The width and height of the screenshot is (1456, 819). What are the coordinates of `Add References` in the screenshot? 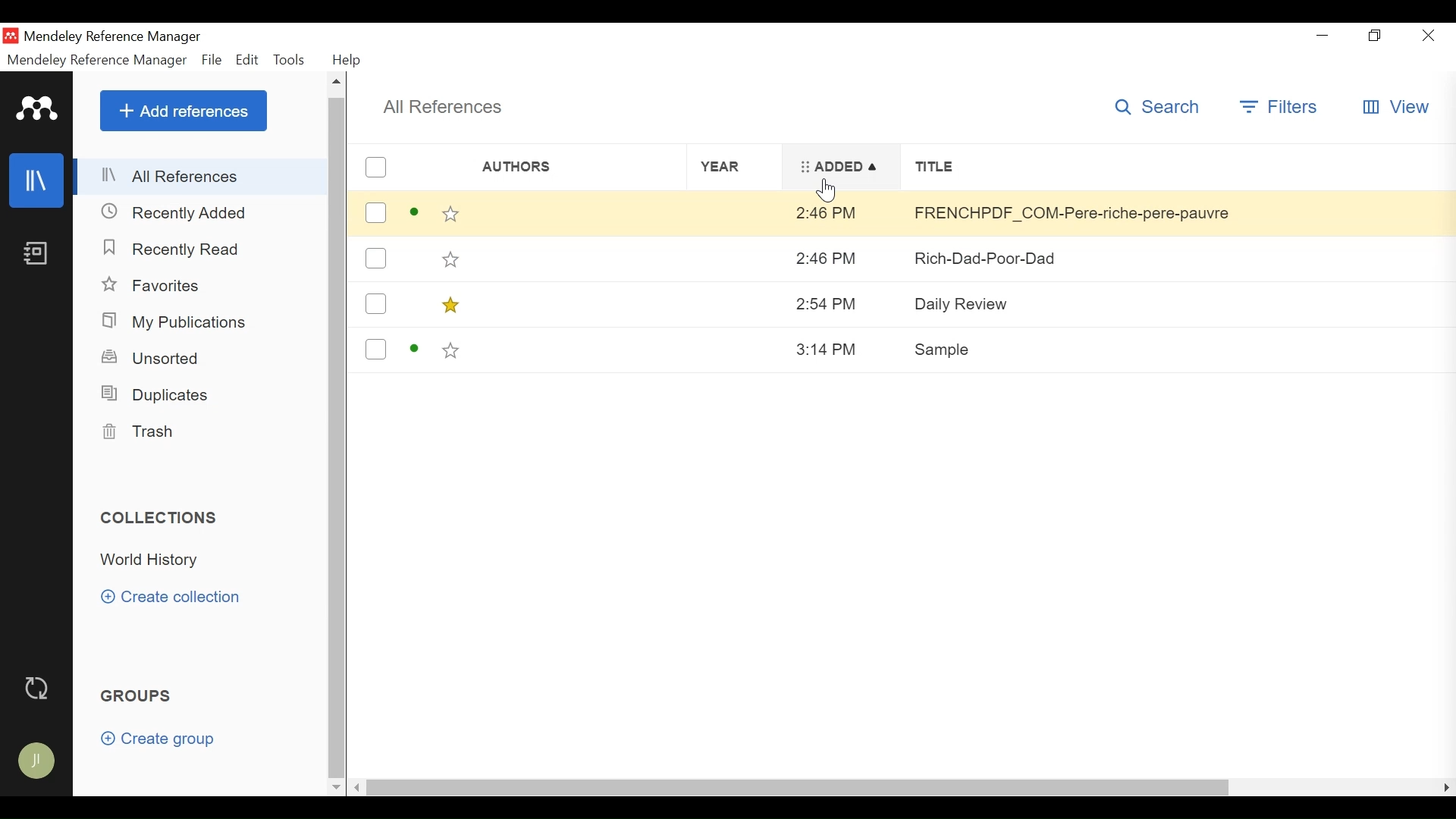 It's located at (183, 111).